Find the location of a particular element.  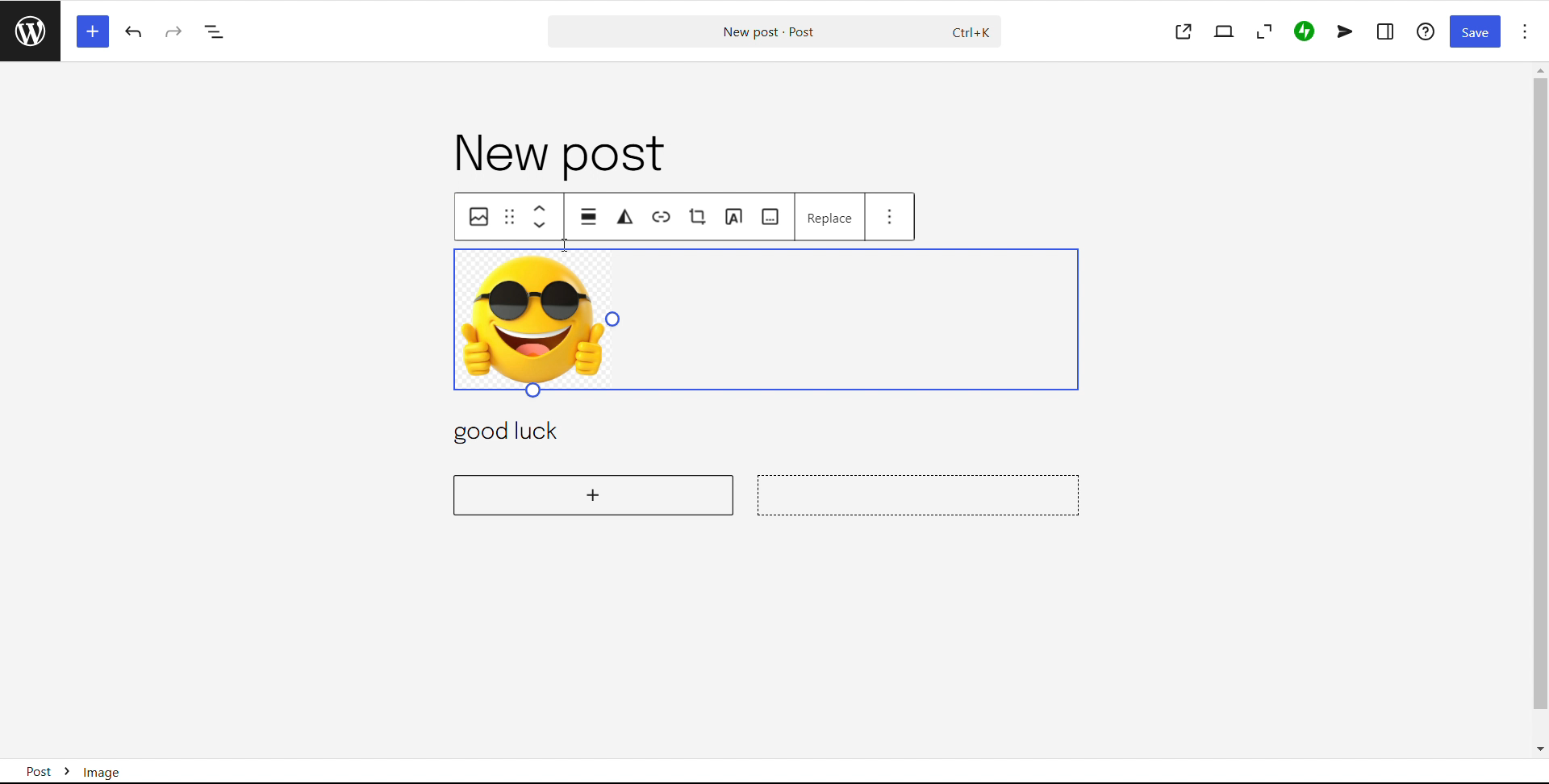

post is located at coordinates (563, 155).